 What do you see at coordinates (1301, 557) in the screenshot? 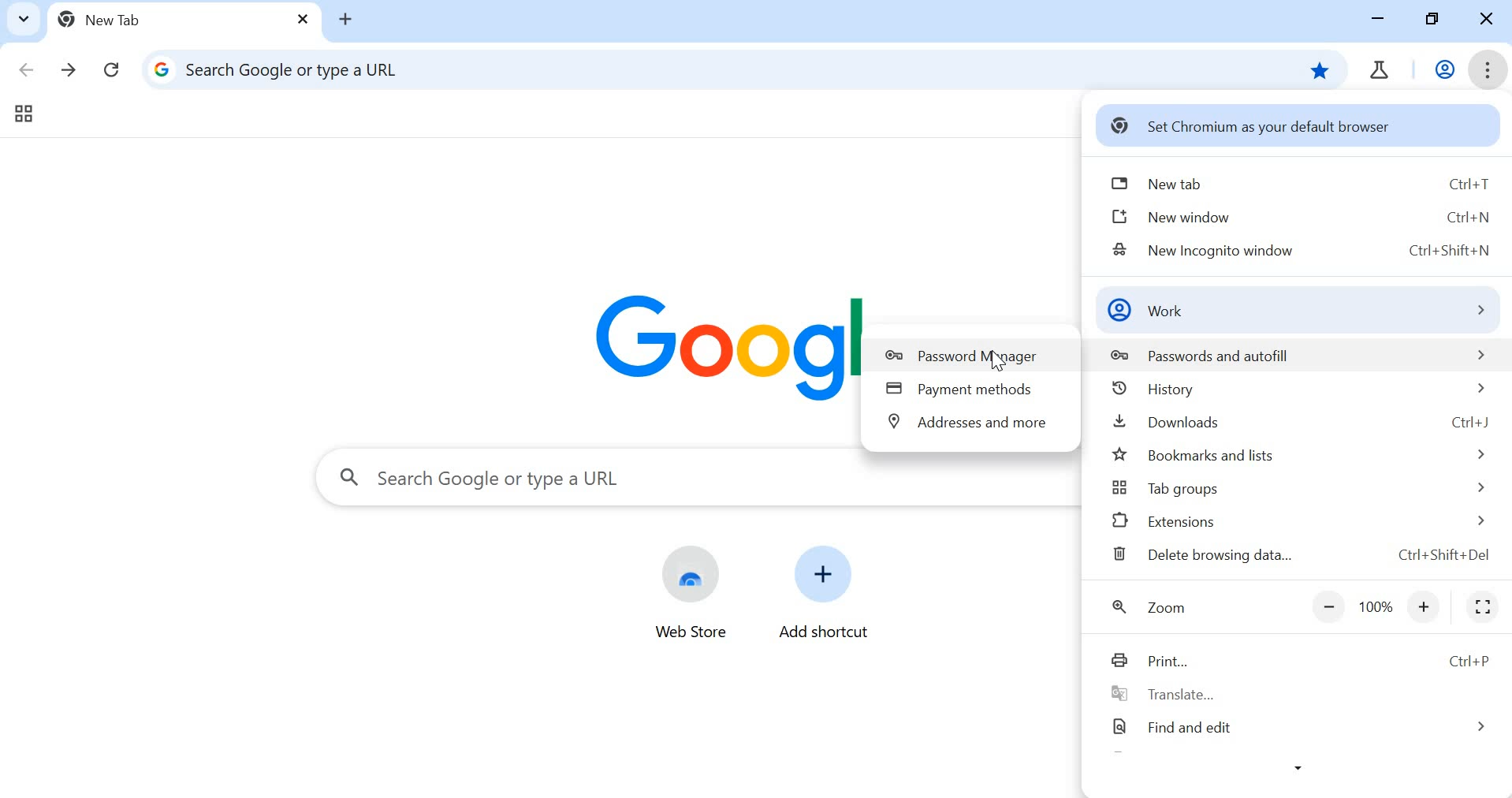
I see `delete browsing data` at bounding box center [1301, 557].